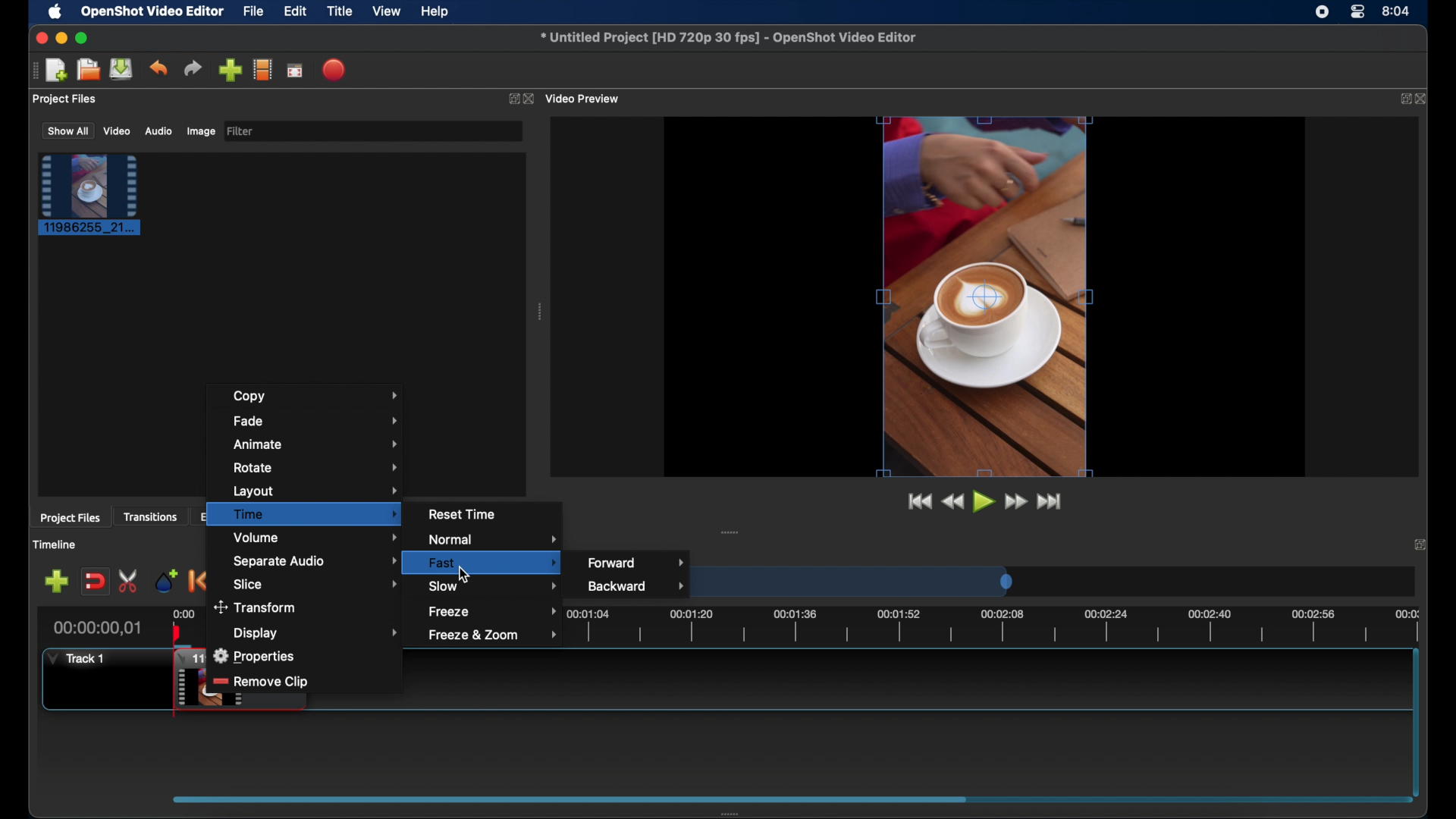 This screenshot has width=1456, height=819. I want to click on transform, so click(256, 606).